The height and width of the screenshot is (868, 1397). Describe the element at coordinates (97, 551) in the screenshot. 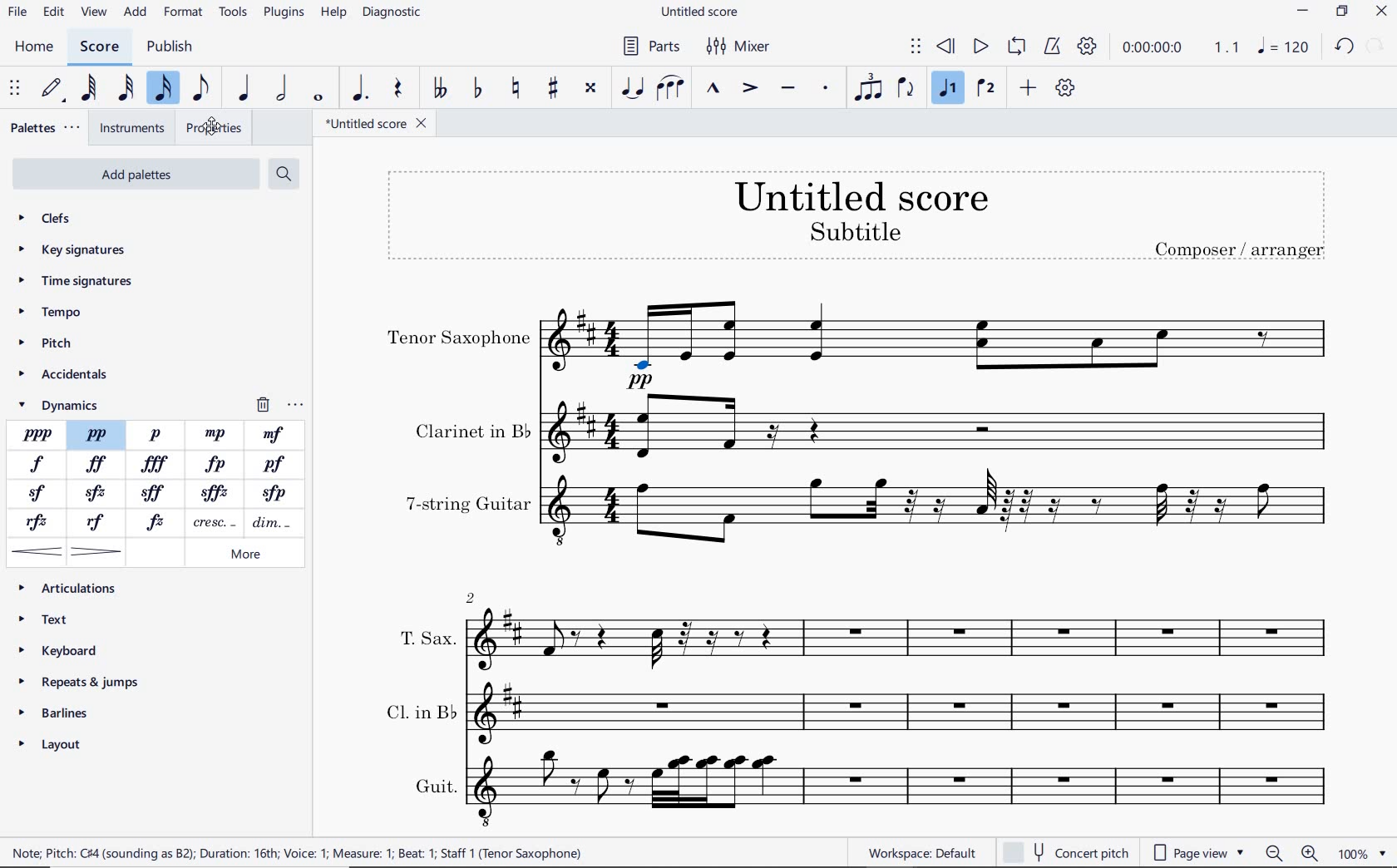

I see `DECRESENDO HAIRPIN` at that location.